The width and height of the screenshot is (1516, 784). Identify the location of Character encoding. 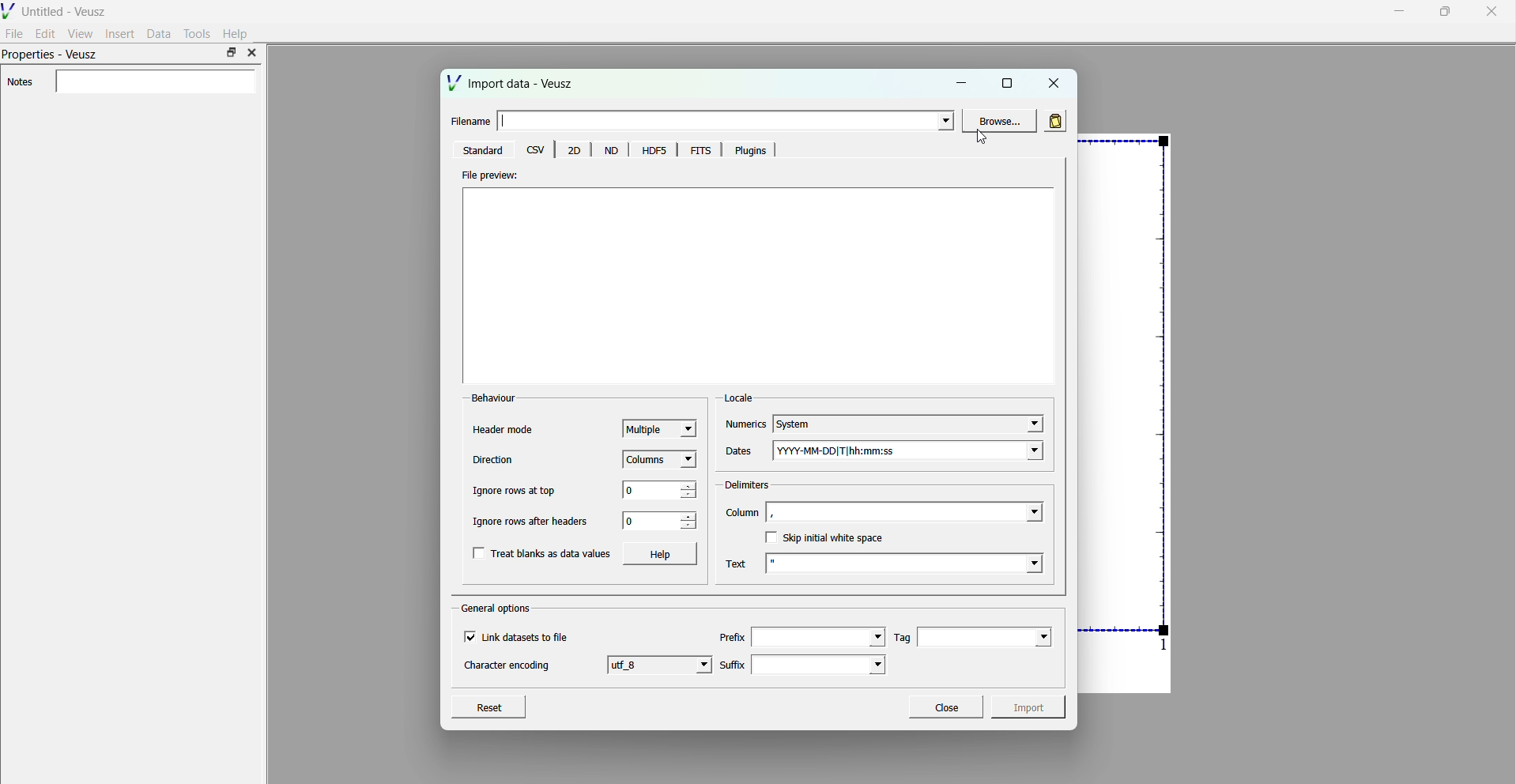
(507, 666).